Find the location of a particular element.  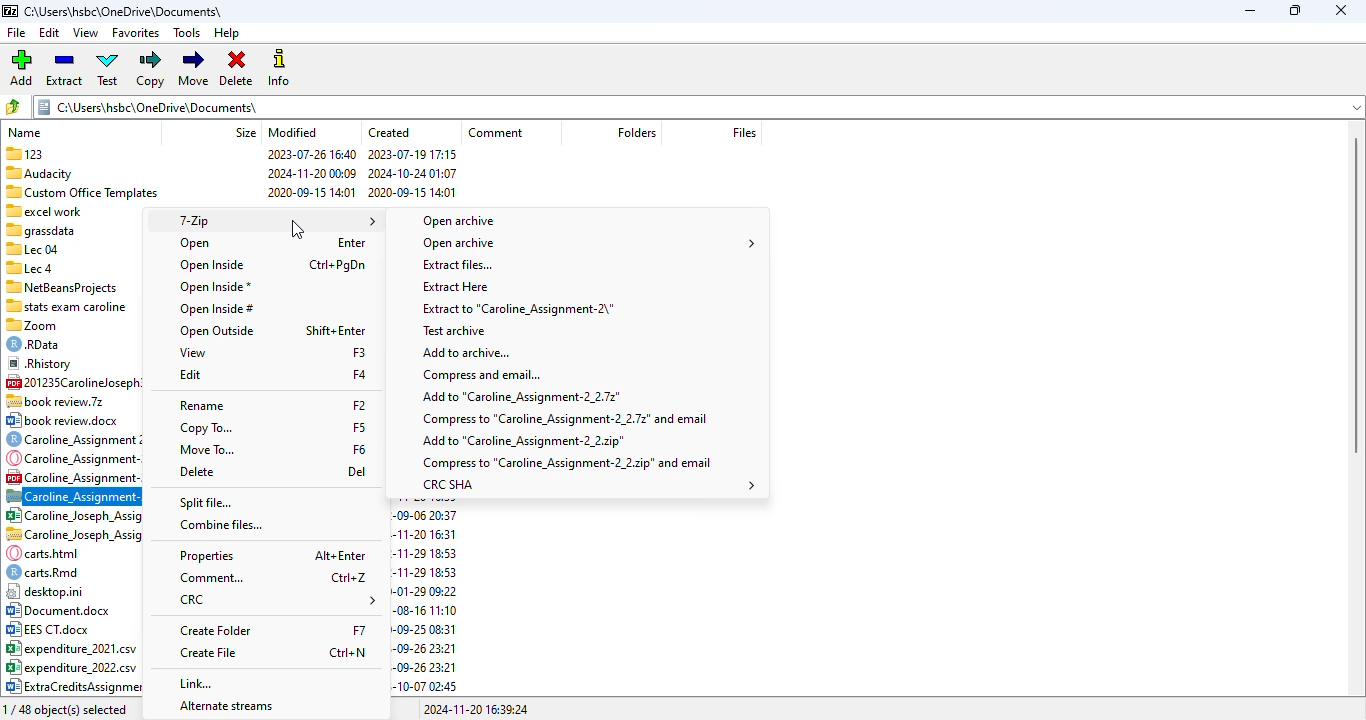

shortcut for open inside is located at coordinates (336, 265).